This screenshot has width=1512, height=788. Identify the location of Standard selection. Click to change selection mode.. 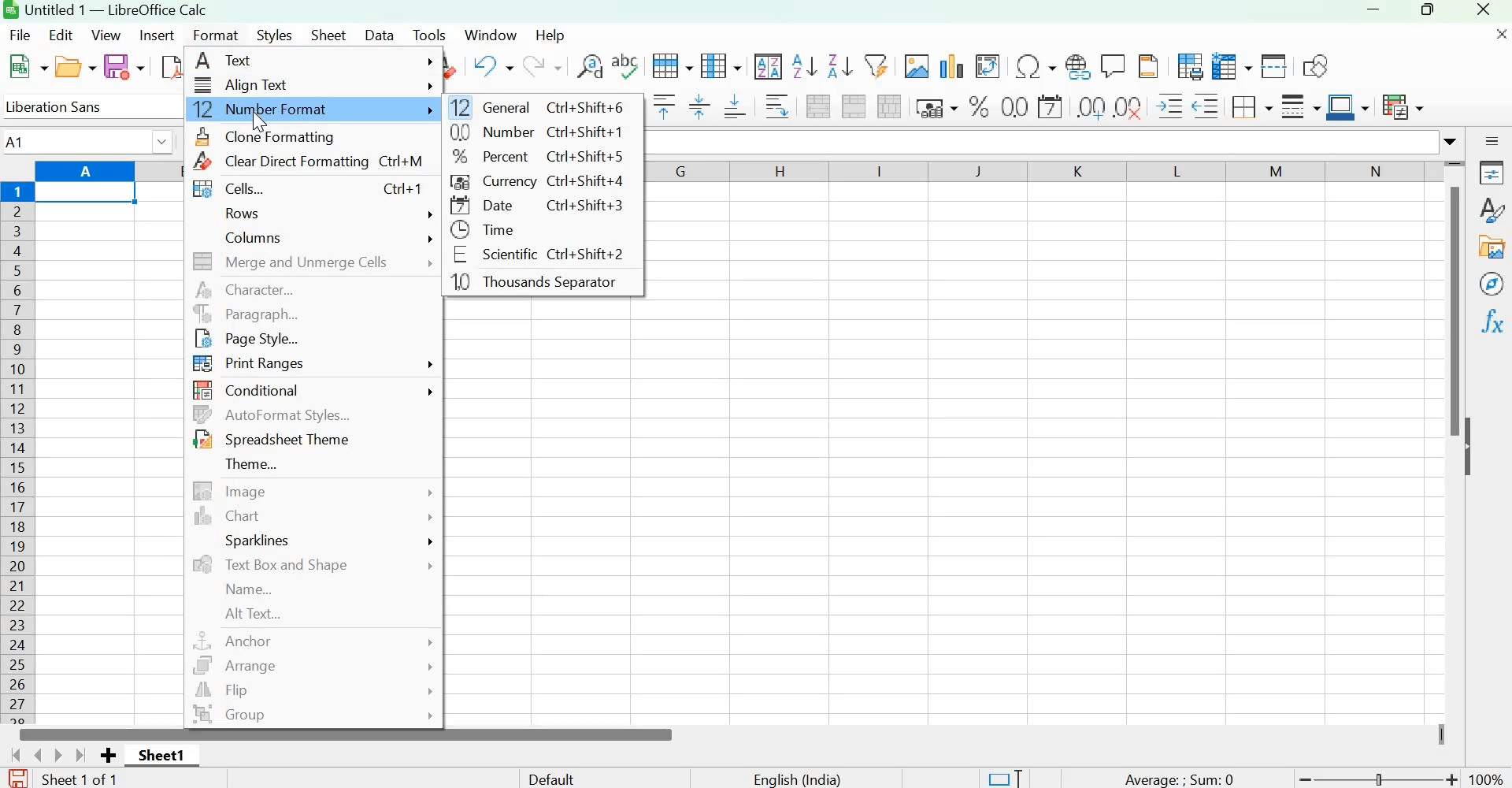
(1004, 777).